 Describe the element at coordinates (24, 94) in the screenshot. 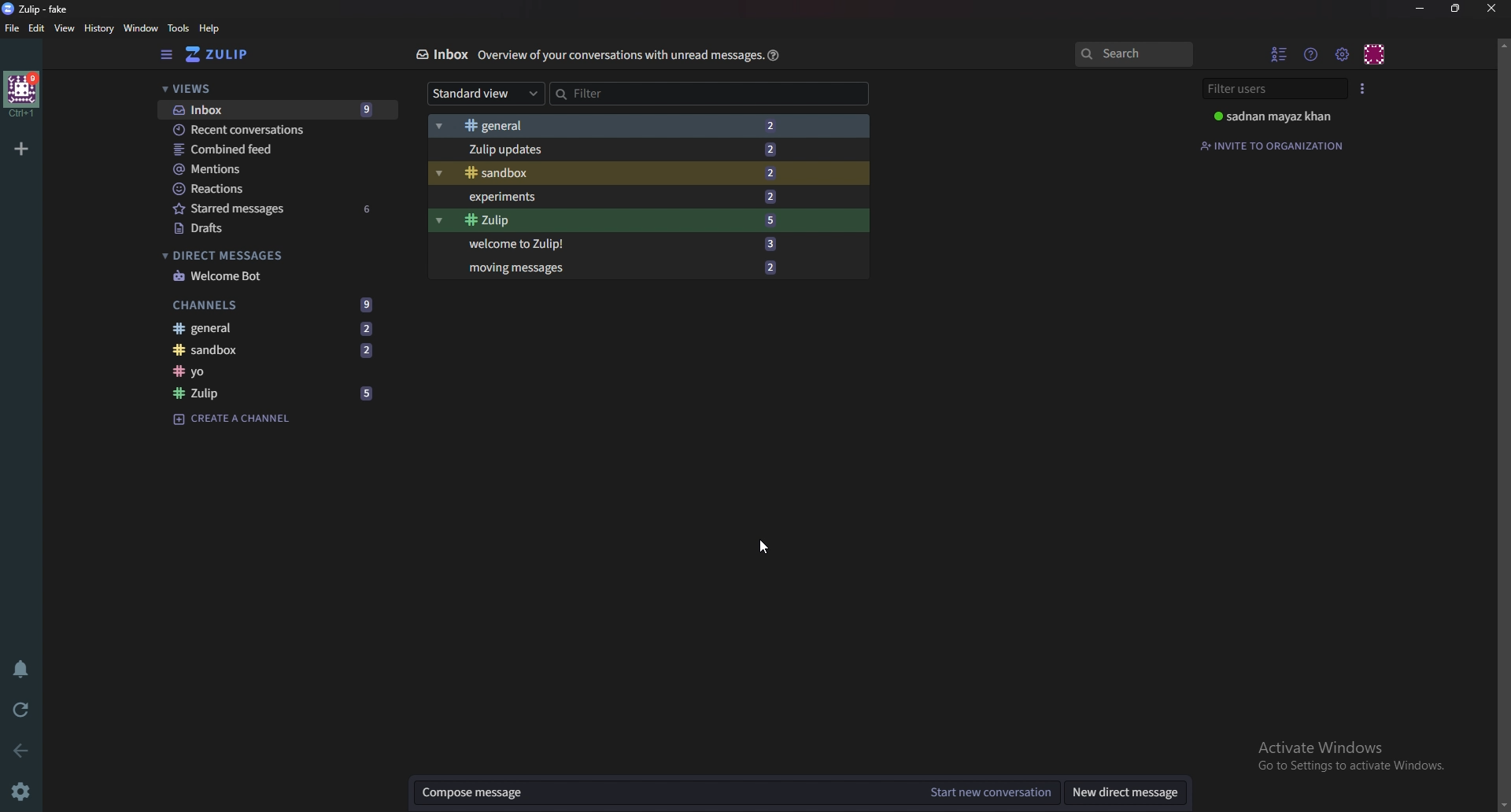

I see `home` at that location.